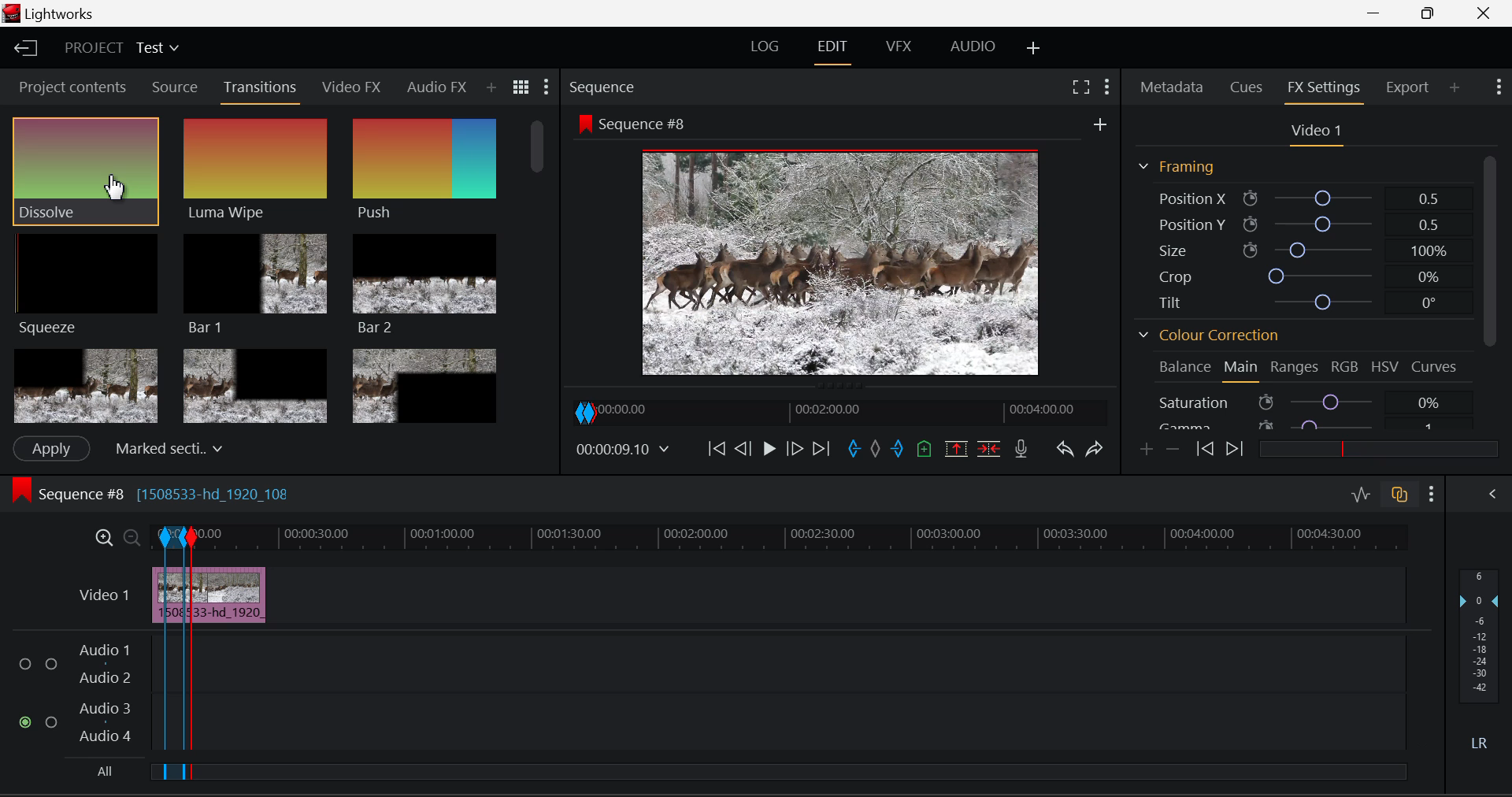 This screenshot has height=797, width=1512. What do you see at coordinates (353, 89) in the screenshot?
I see `Video FX` at bounding box center [353, 89].